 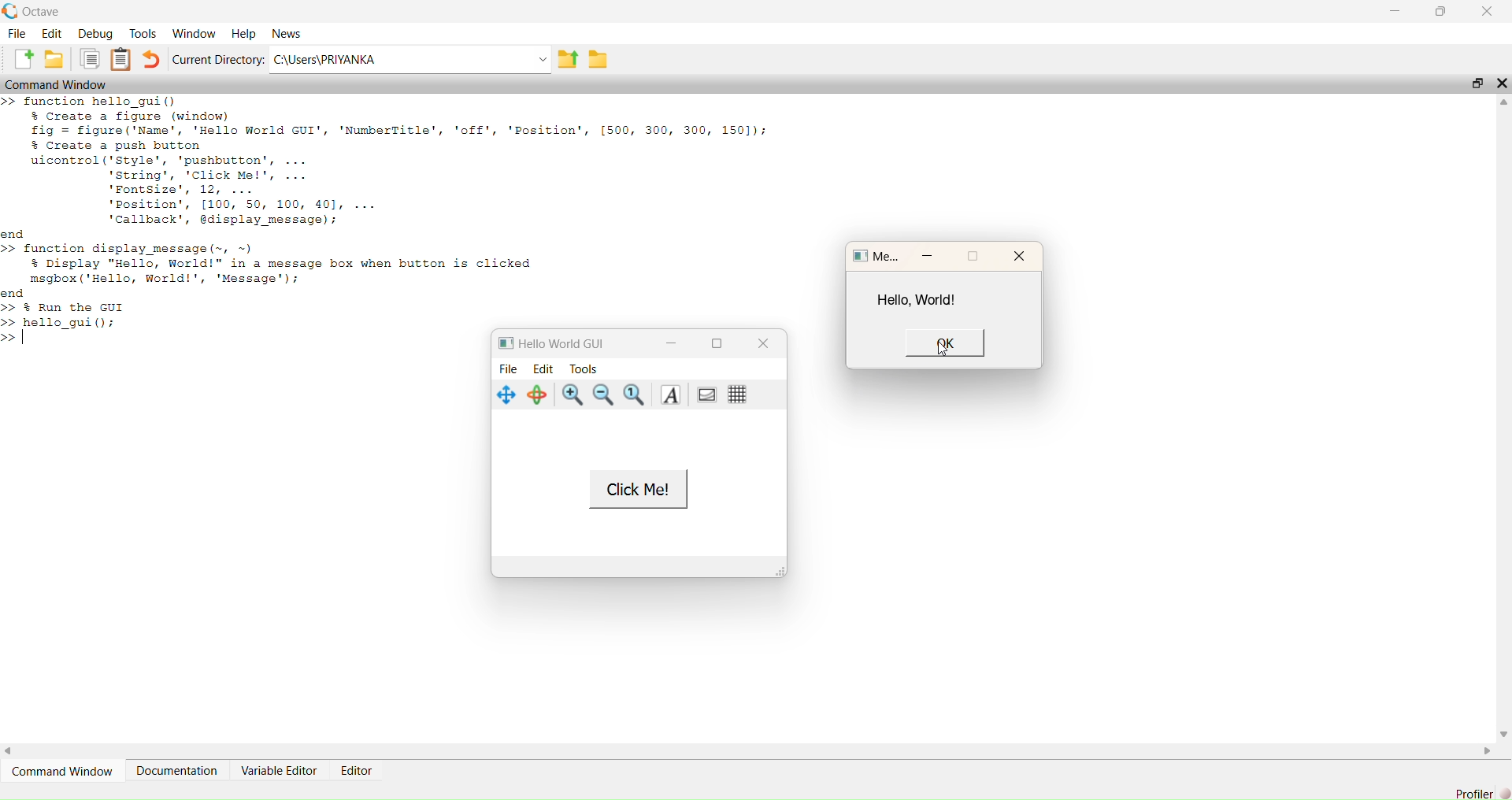 What do you see at coordinates (63, 84) in the screenshot?
I see `Command Window` at bounding box center [63, 84].